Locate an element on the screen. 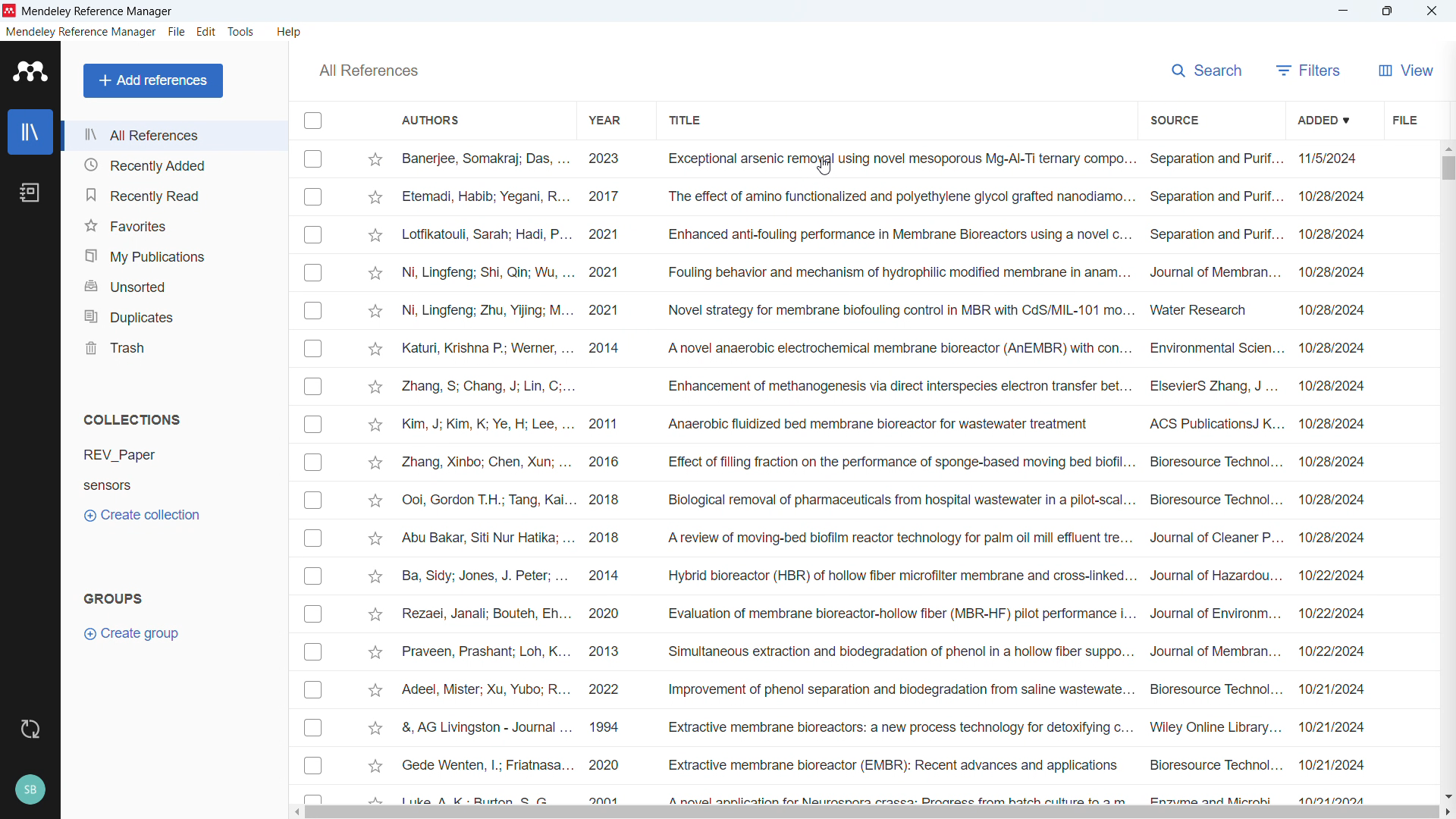 The width and height of the screenshot is (1456, 819). ni, lingfeng,zhu,yijing,m is located at coordinates (487, 312).